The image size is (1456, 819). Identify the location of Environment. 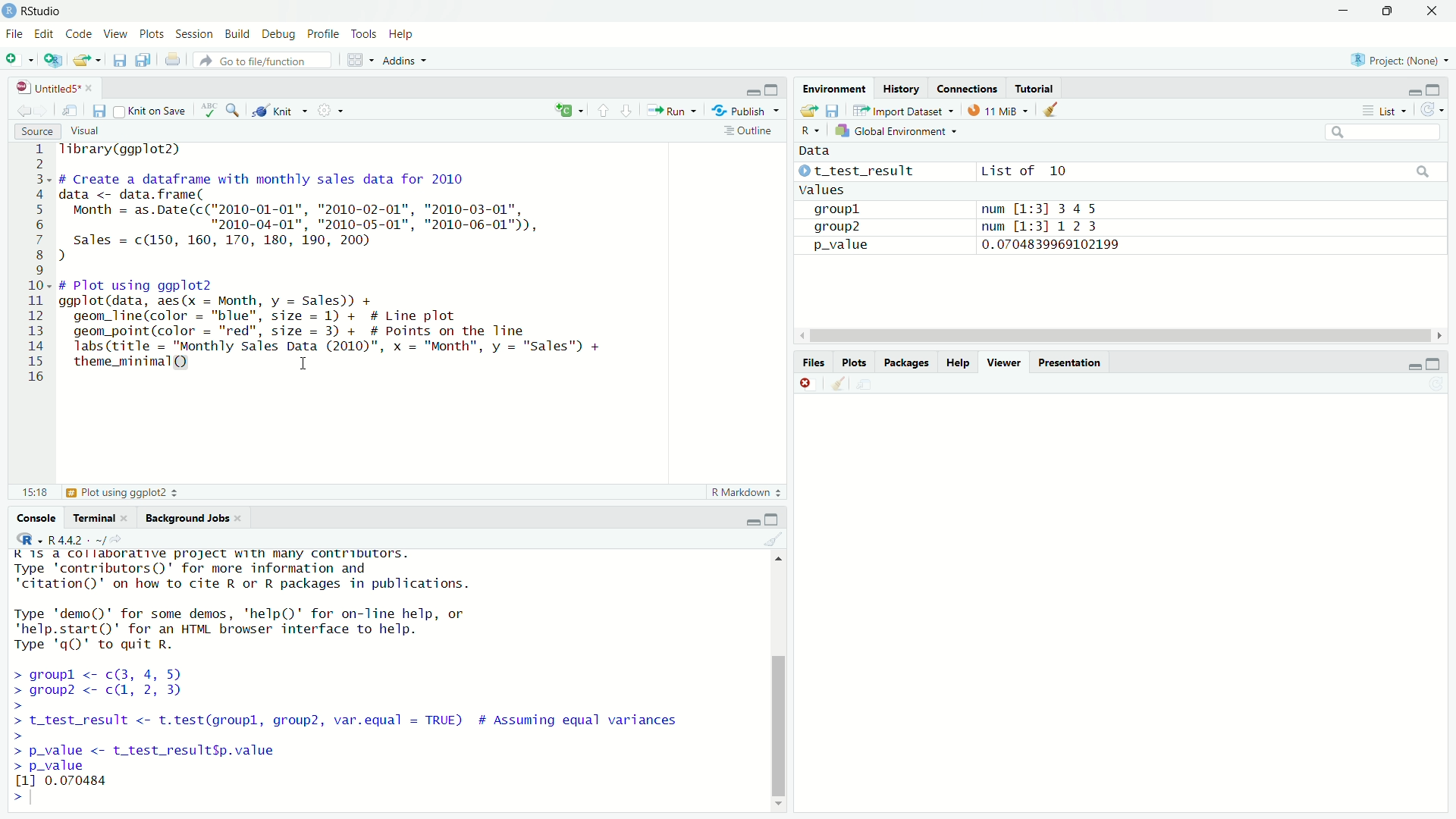
(830, 86).